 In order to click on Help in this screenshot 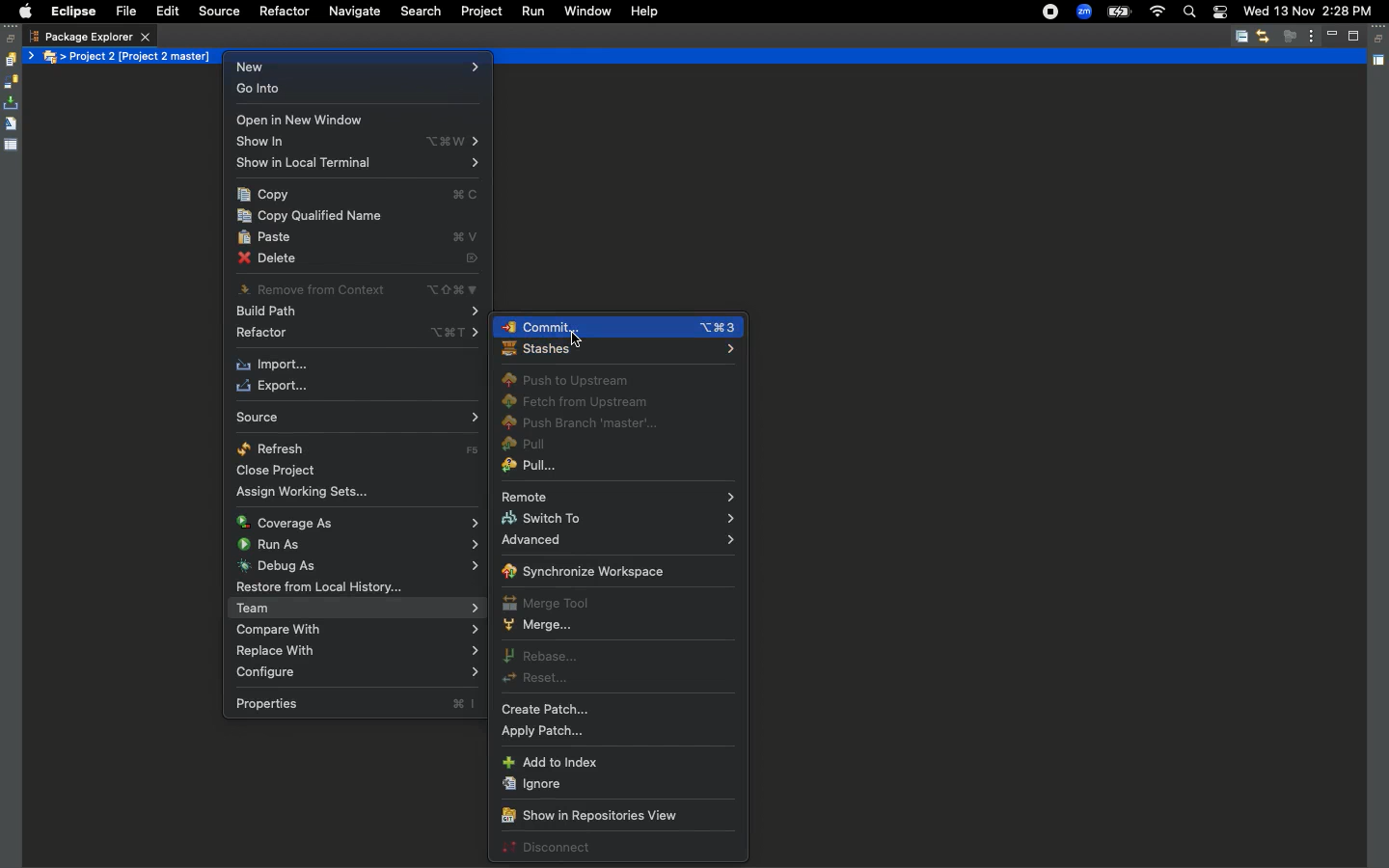, I will do `click(644, 11)`.